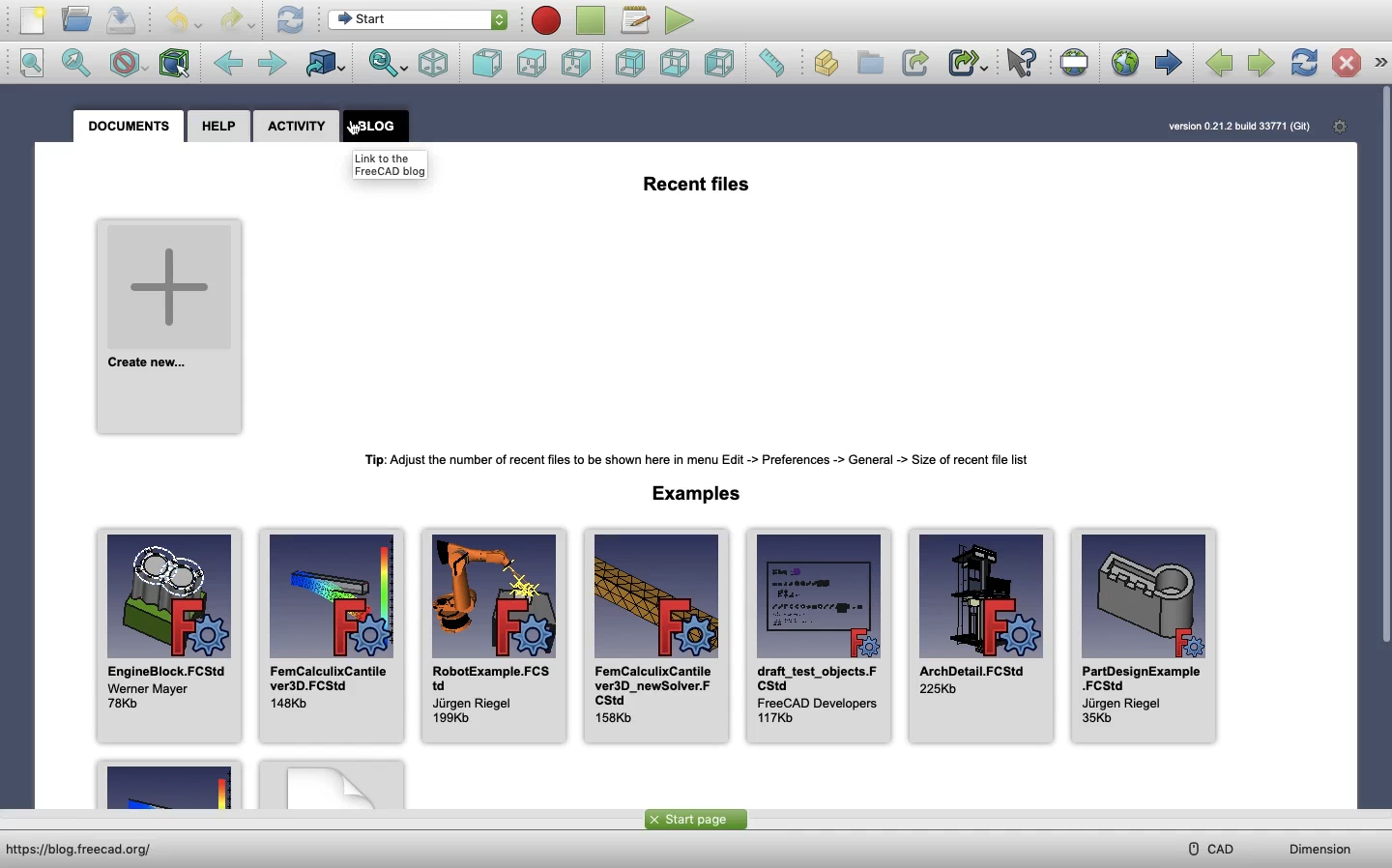 This screenshot has width=1392, height=868. What do you see at coordinates (168, 634) in the screenshot?
I see `Engine Block` at bounding box center [168, 634].